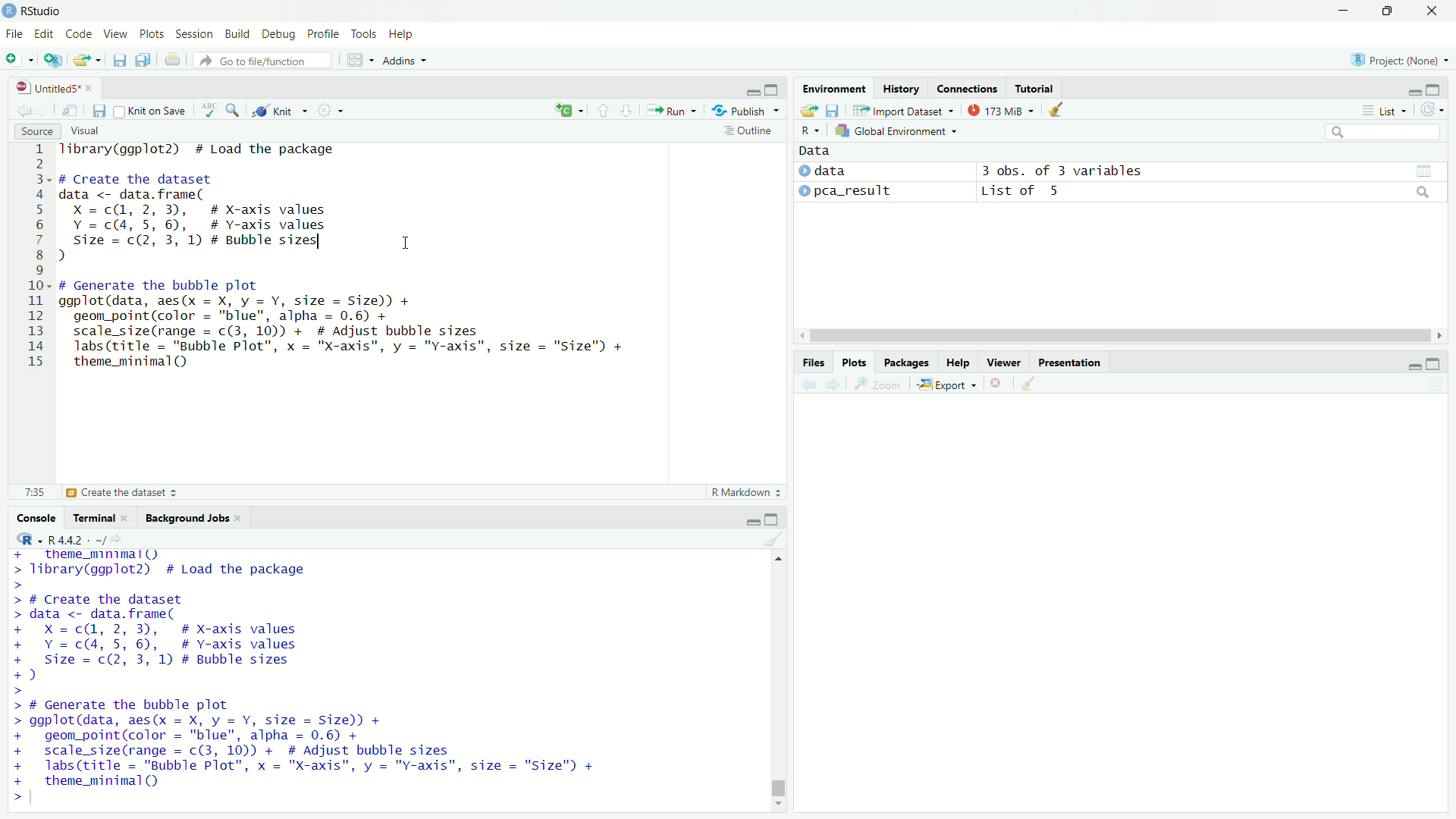 Image resolution: width=1456 pixels, height=819 pixels. What do you see at coordinates (628, 108) in the screenshot?
I see `go to next section` at bounding box center [628, 108].